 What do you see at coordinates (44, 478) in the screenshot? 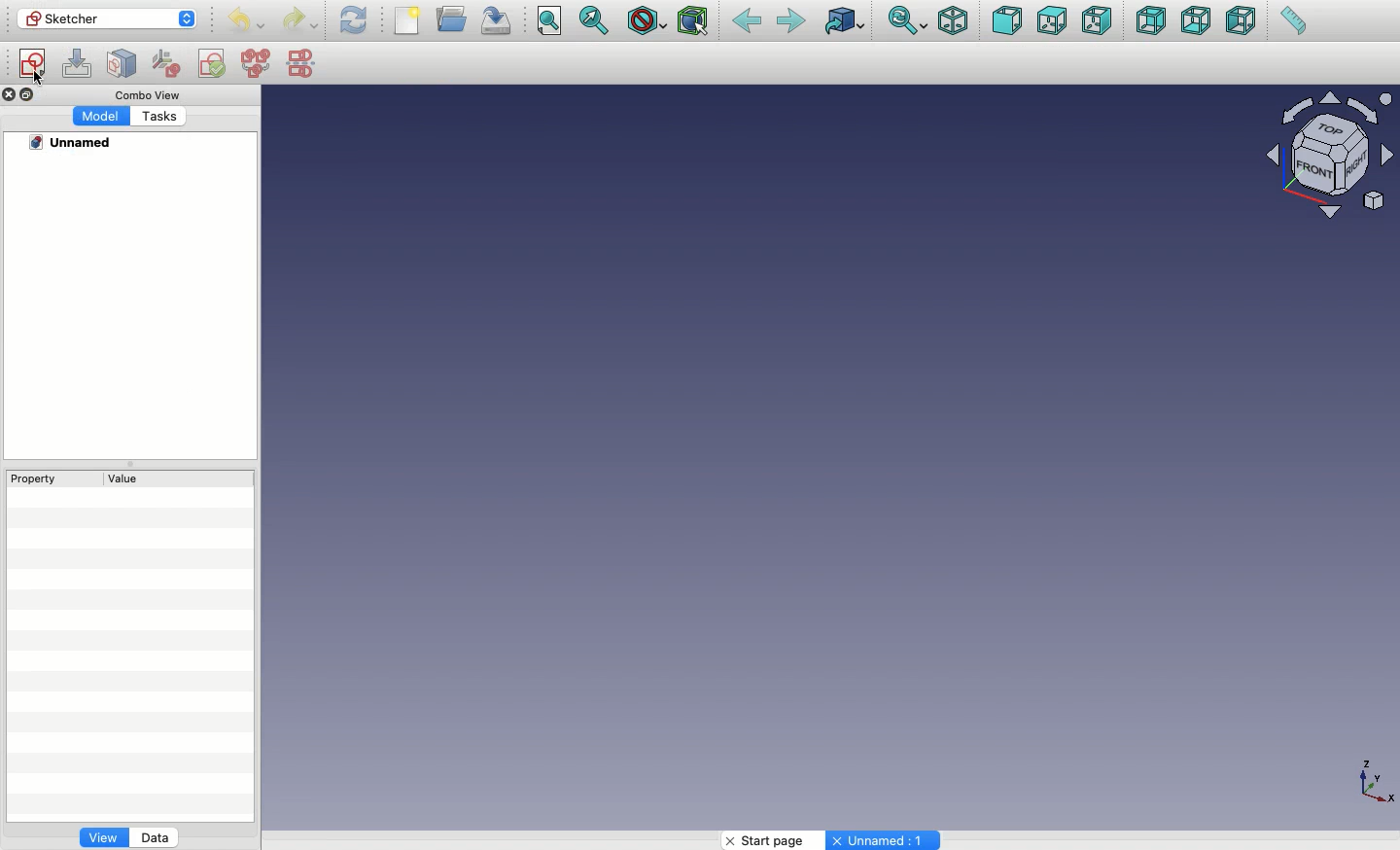
I see `Property ` at bounding box center [44, 478].